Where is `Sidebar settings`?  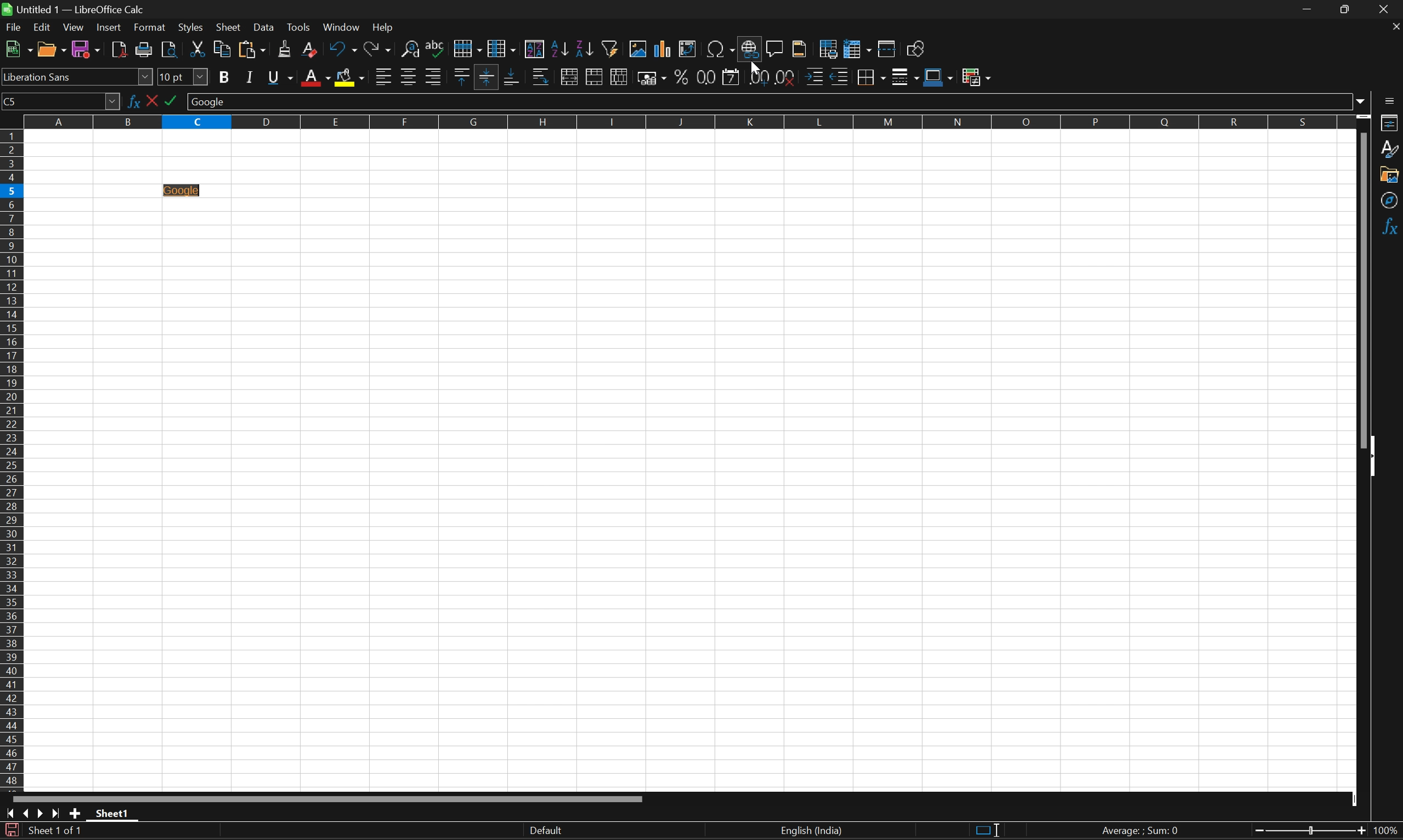 Sidebar settings is located at coordinates (1391, 100).